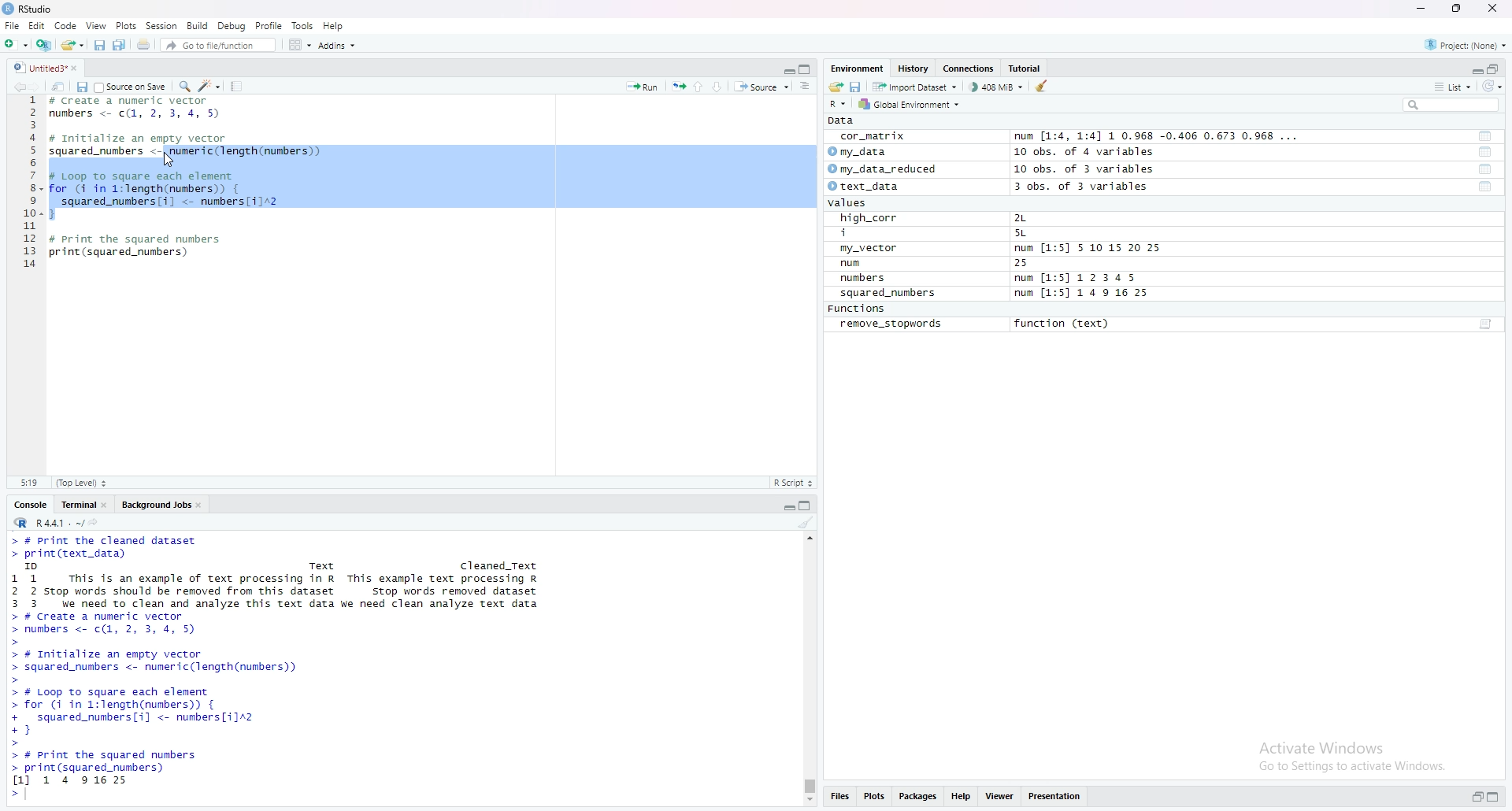 This screenshot has height=811, width=1512. What do you see at coordinates (859, 309) in the screenshot?
I see `Functions` at bounding box center [859, 309].